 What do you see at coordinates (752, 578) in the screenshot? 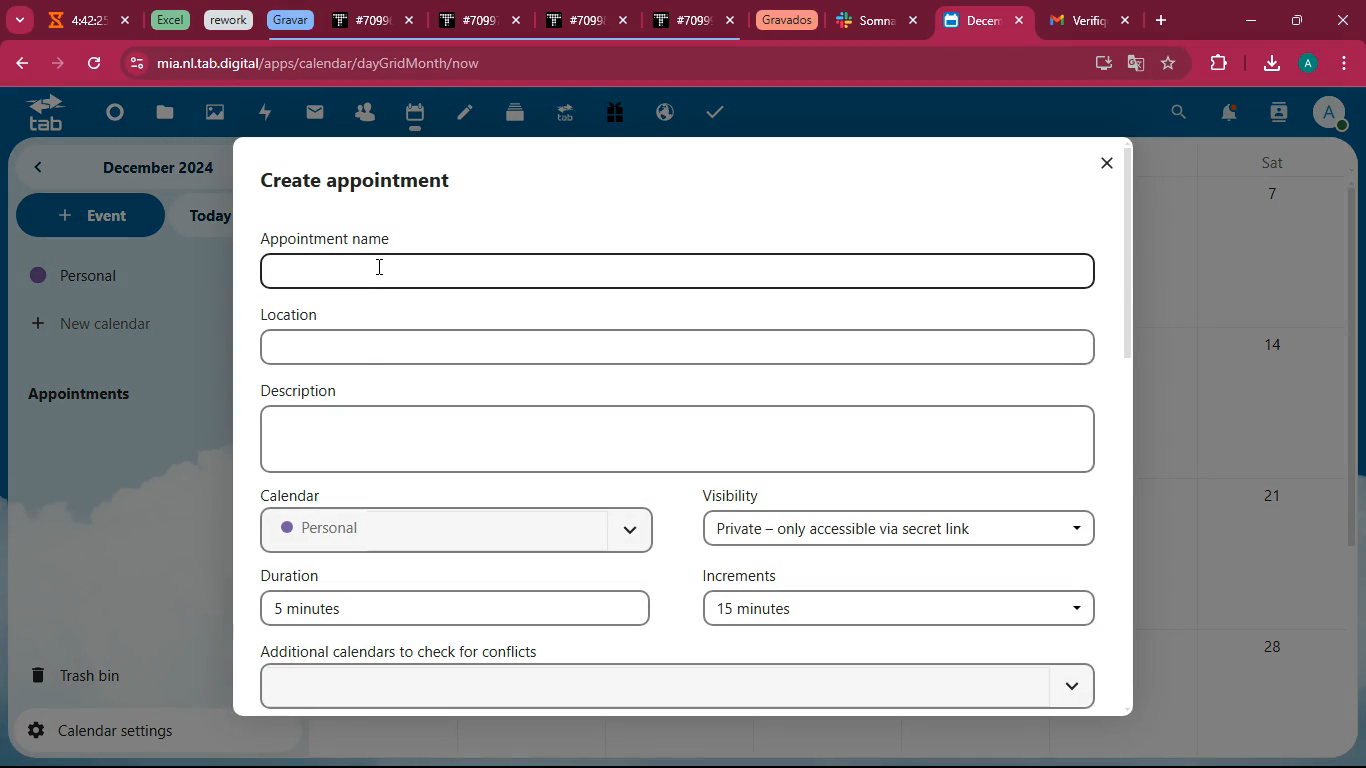
I see `increments` at bounding box center [752, 578].